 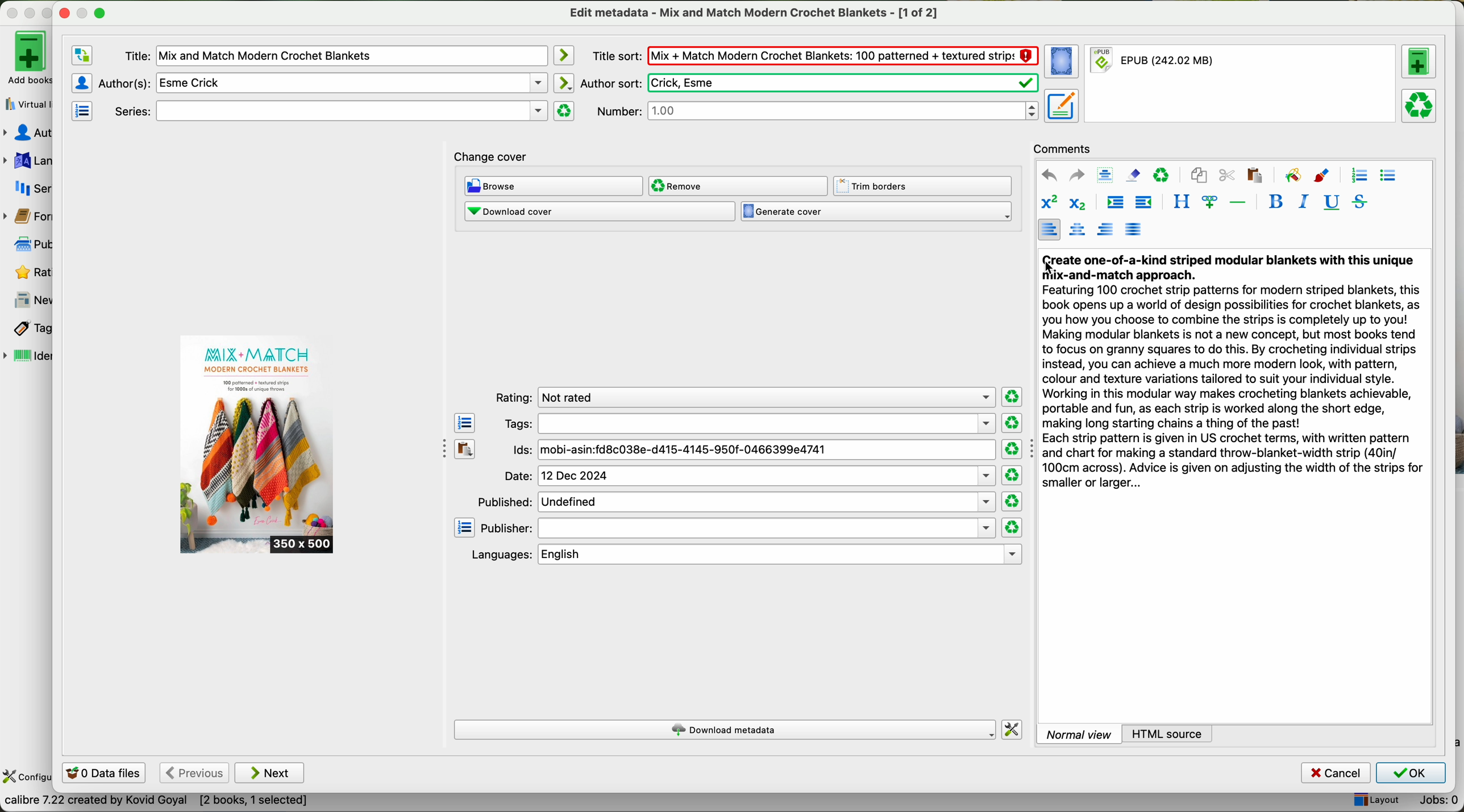 What do you see at coordinates (27, 777) in the screenshot?
I see `configure` at bounding box center [27, 777].